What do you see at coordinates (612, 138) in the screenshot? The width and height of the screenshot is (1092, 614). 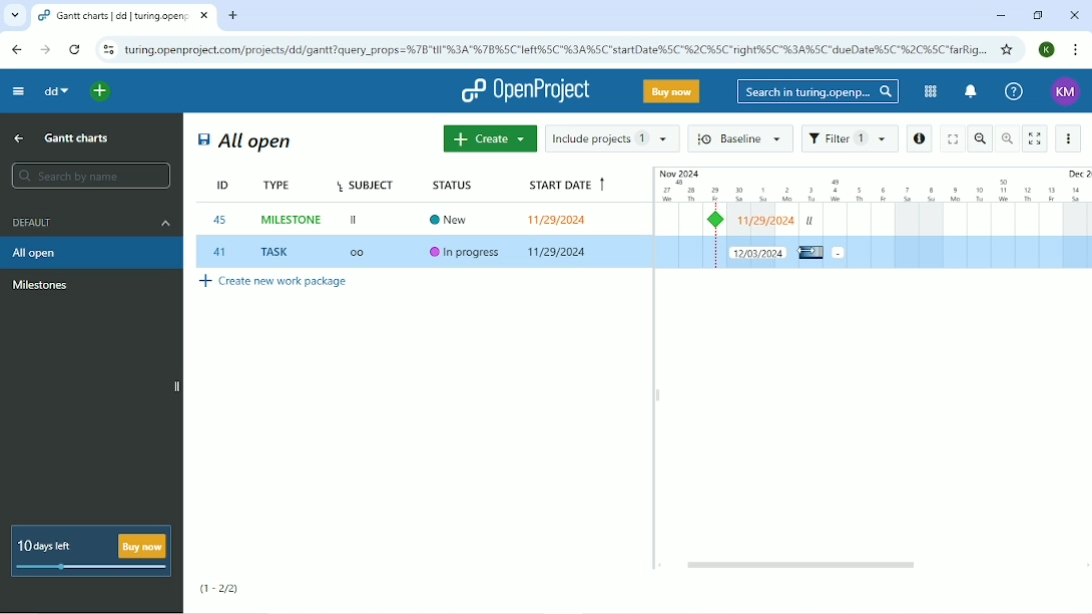 I see `Include projects` at bounding box center [612, 138].